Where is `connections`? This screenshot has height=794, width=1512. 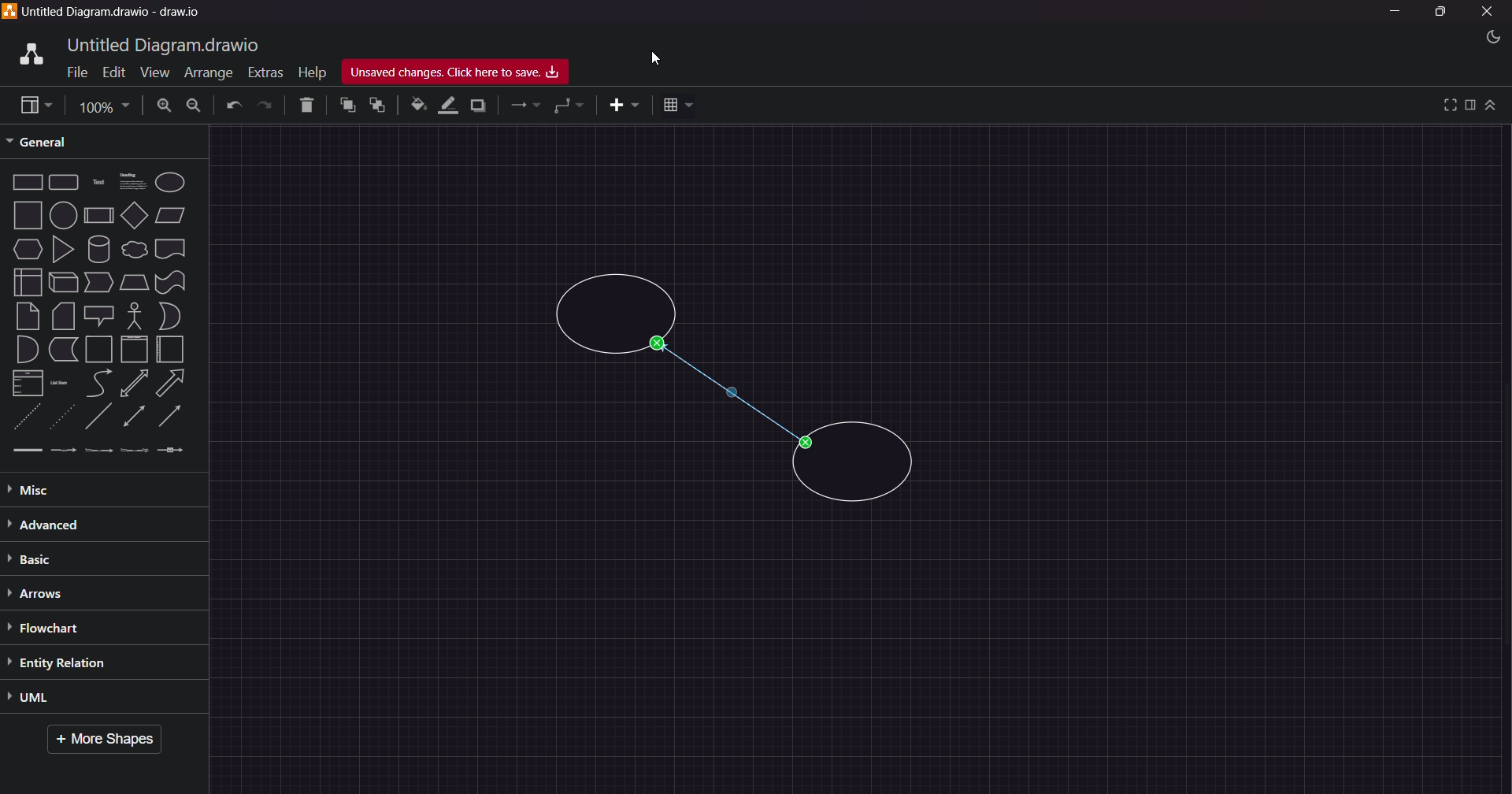 connections is located at coordinates (524, 106).